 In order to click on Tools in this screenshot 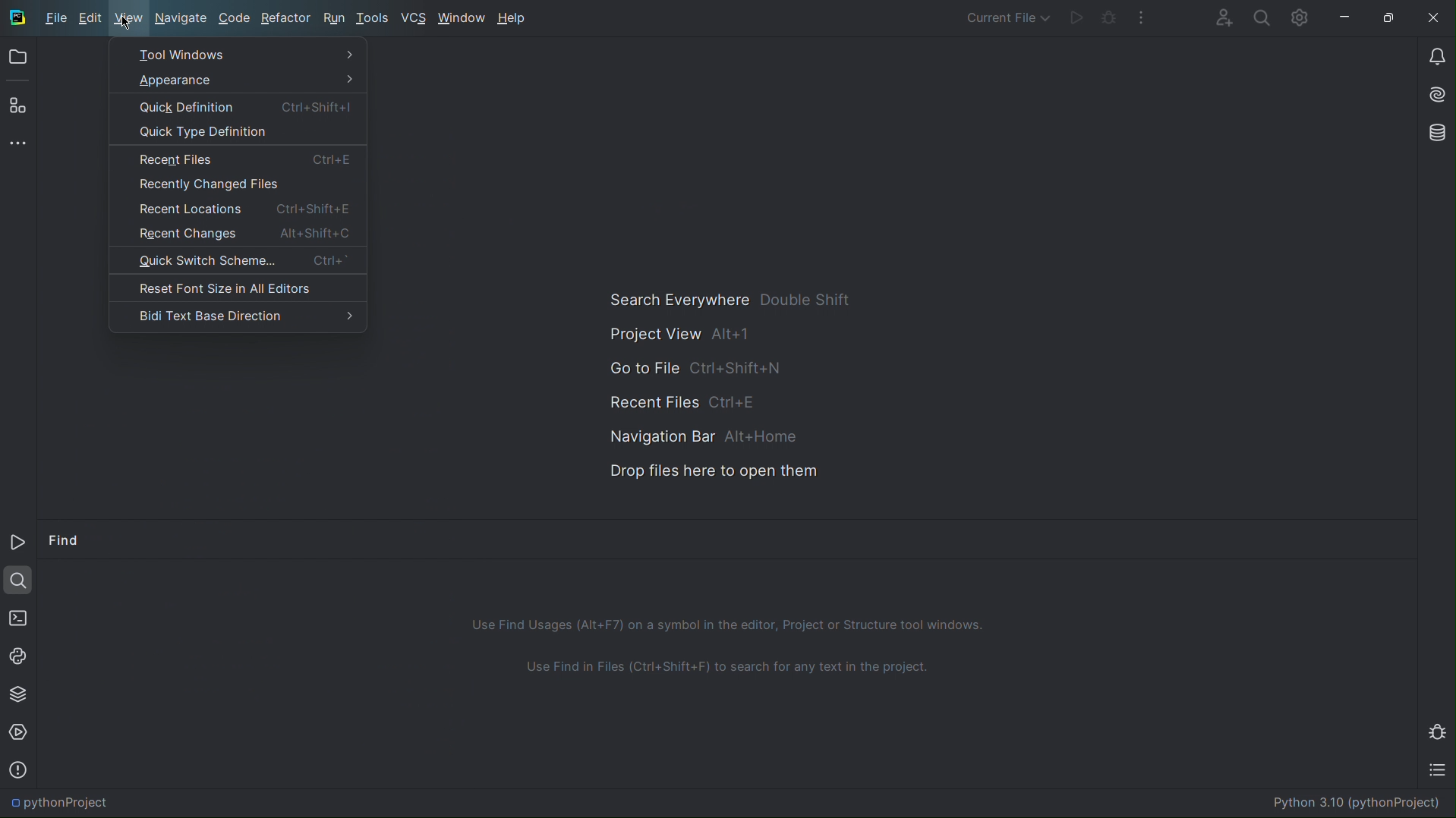, I will do `click(375, 19)`.